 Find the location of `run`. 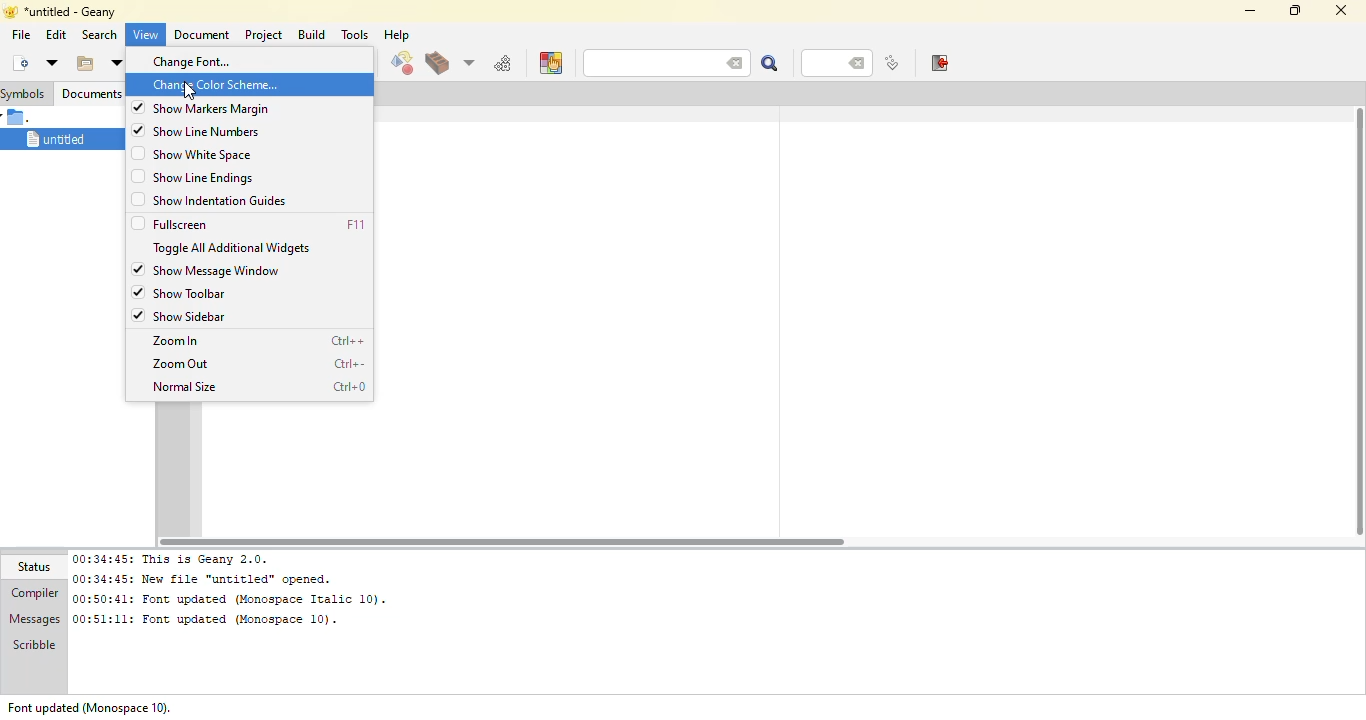

run is located at coordinates (503, 63).